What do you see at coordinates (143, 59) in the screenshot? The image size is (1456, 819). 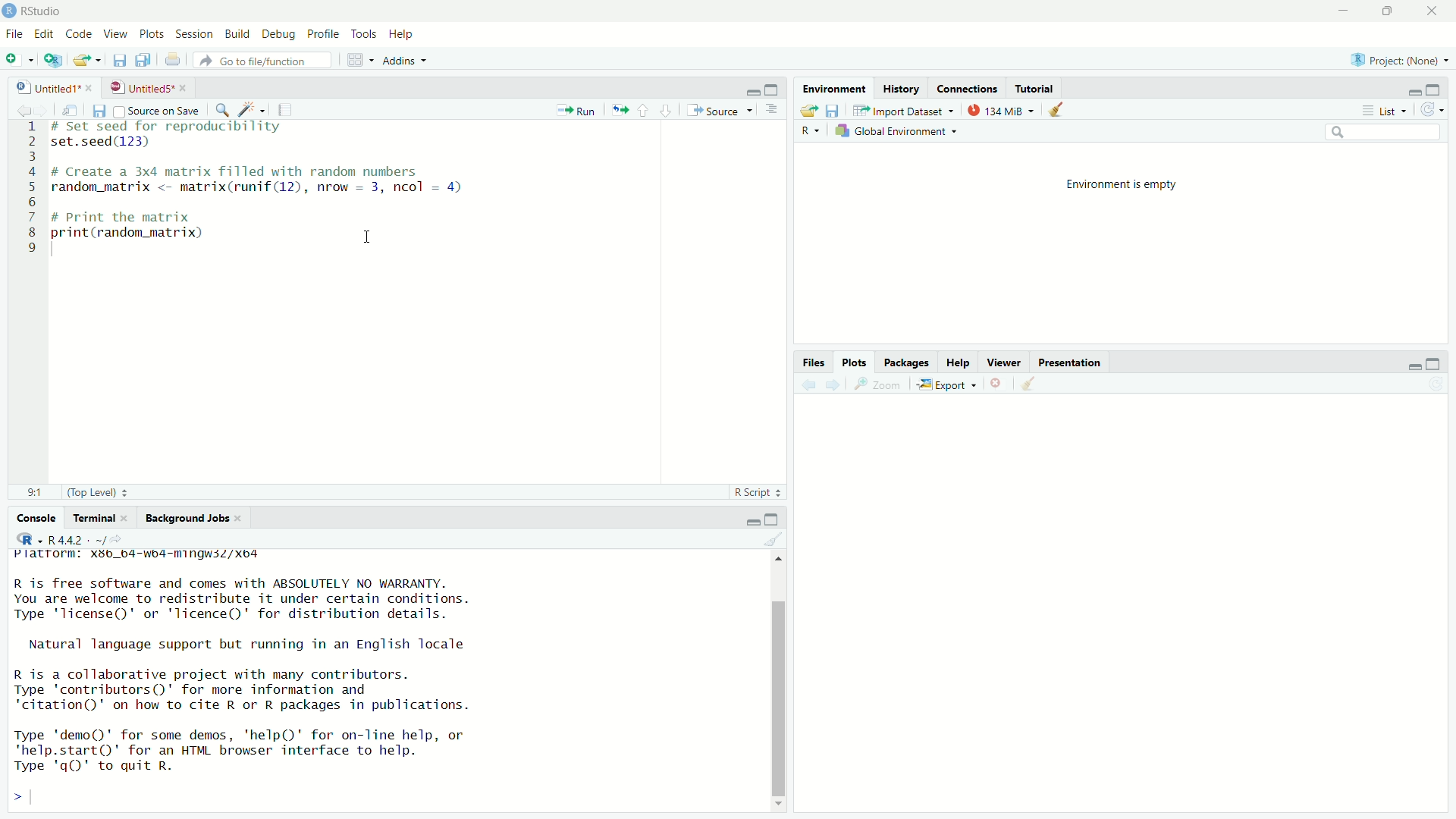 I see `copy` at bounding box center [143, 59].